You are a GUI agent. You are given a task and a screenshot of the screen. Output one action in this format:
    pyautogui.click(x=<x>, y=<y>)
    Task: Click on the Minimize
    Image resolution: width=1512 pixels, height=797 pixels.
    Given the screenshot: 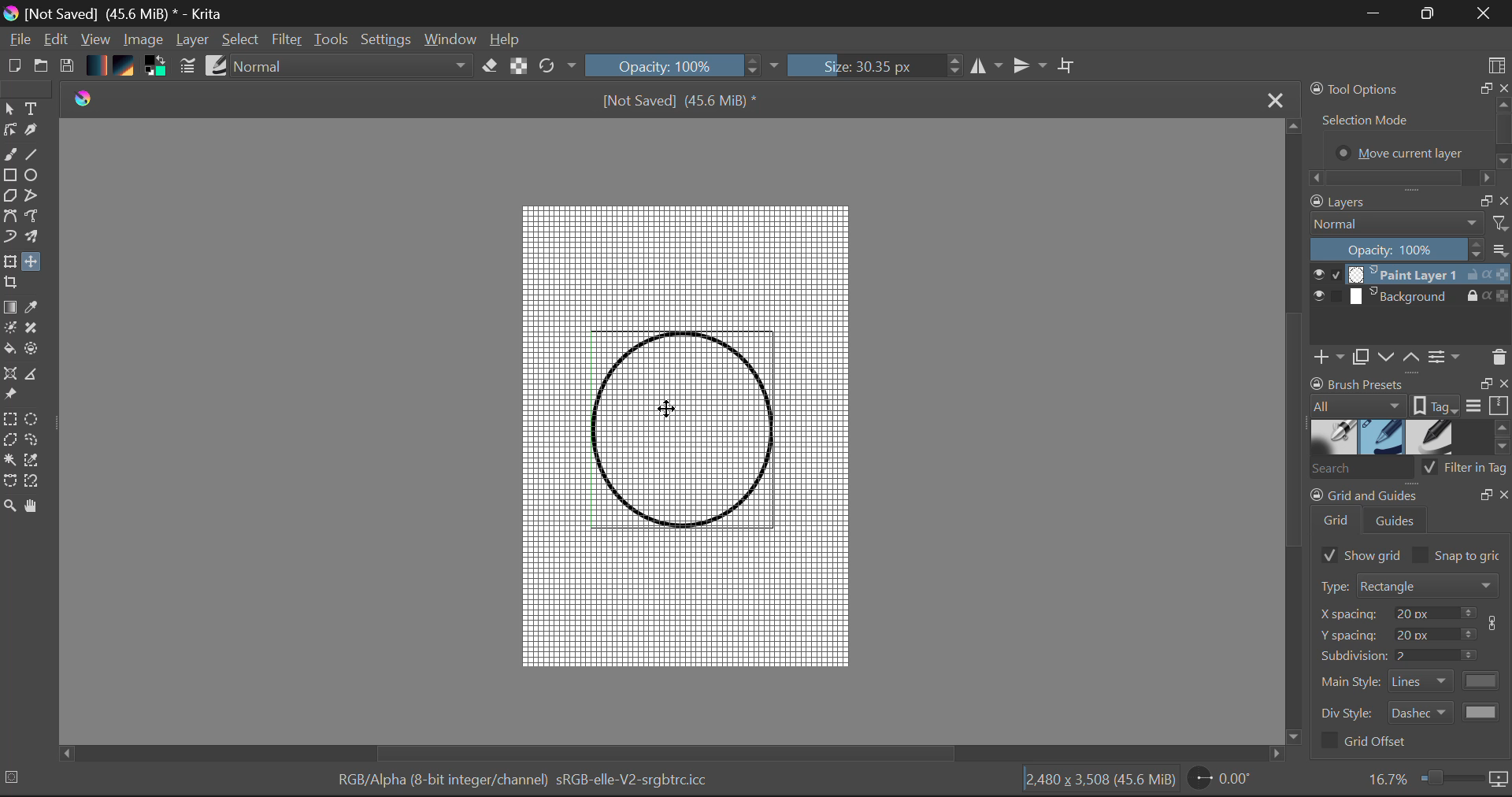 What is the action you would take?
    pyautogui.click(x=1429, y=13)
    